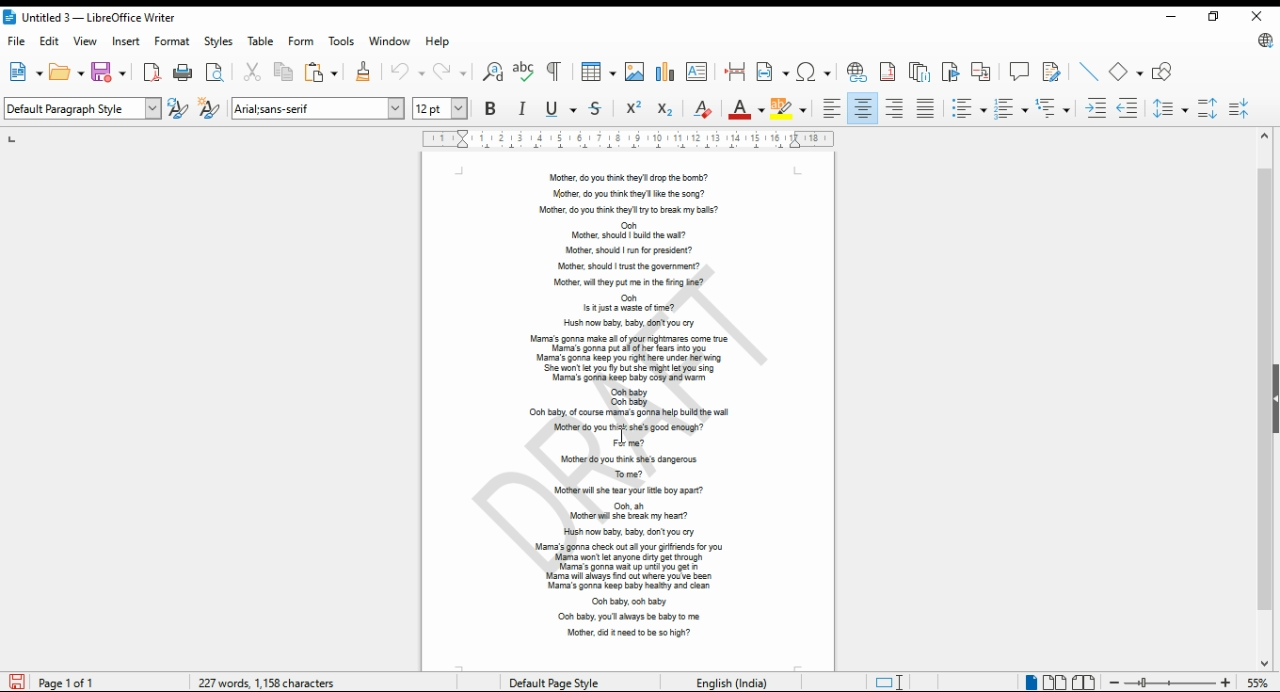 Image resolution: width=1280 pixels, height=692 pixels. What do you see at coordinates (927, 108) in the screenshot?
I see `justified` at bounding box center [927, 108].